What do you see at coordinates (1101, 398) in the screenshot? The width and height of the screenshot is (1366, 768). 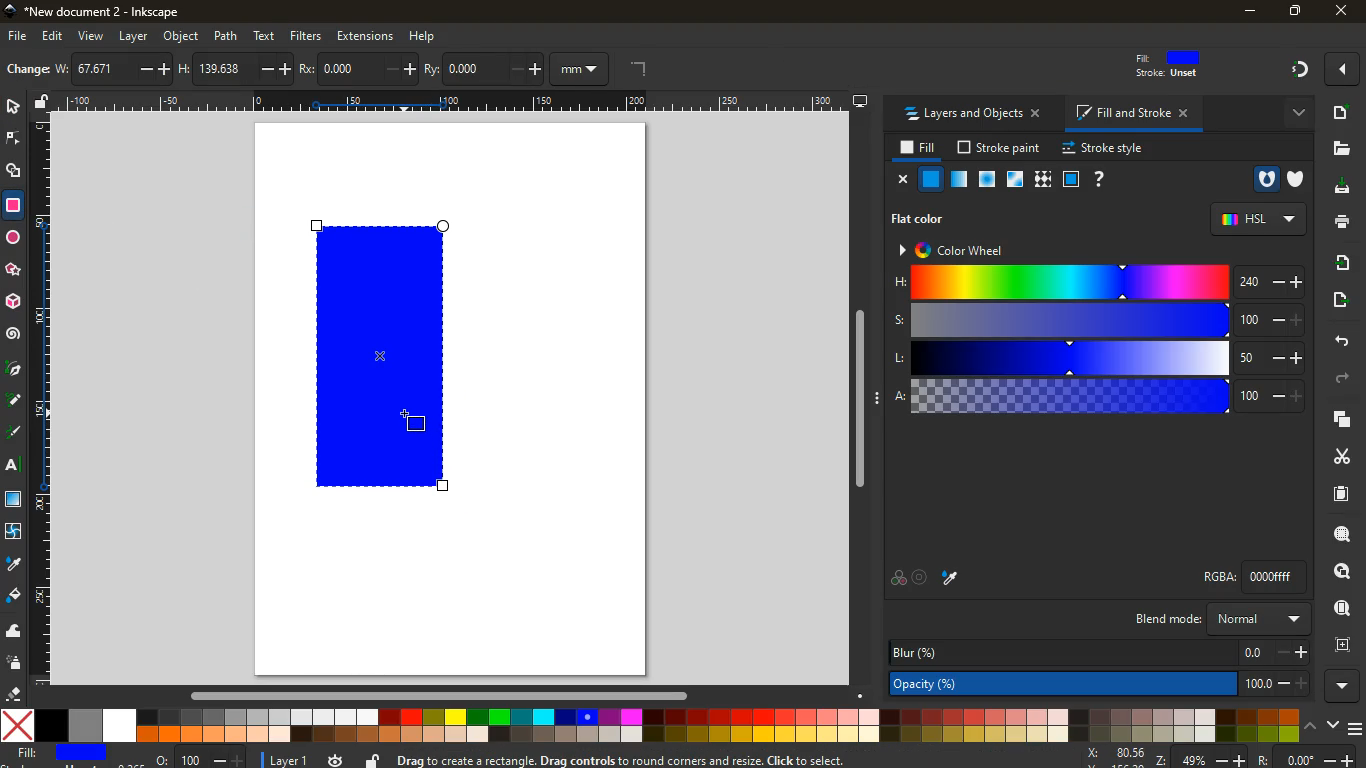 I see `a` at bounding box center [1101, 398].